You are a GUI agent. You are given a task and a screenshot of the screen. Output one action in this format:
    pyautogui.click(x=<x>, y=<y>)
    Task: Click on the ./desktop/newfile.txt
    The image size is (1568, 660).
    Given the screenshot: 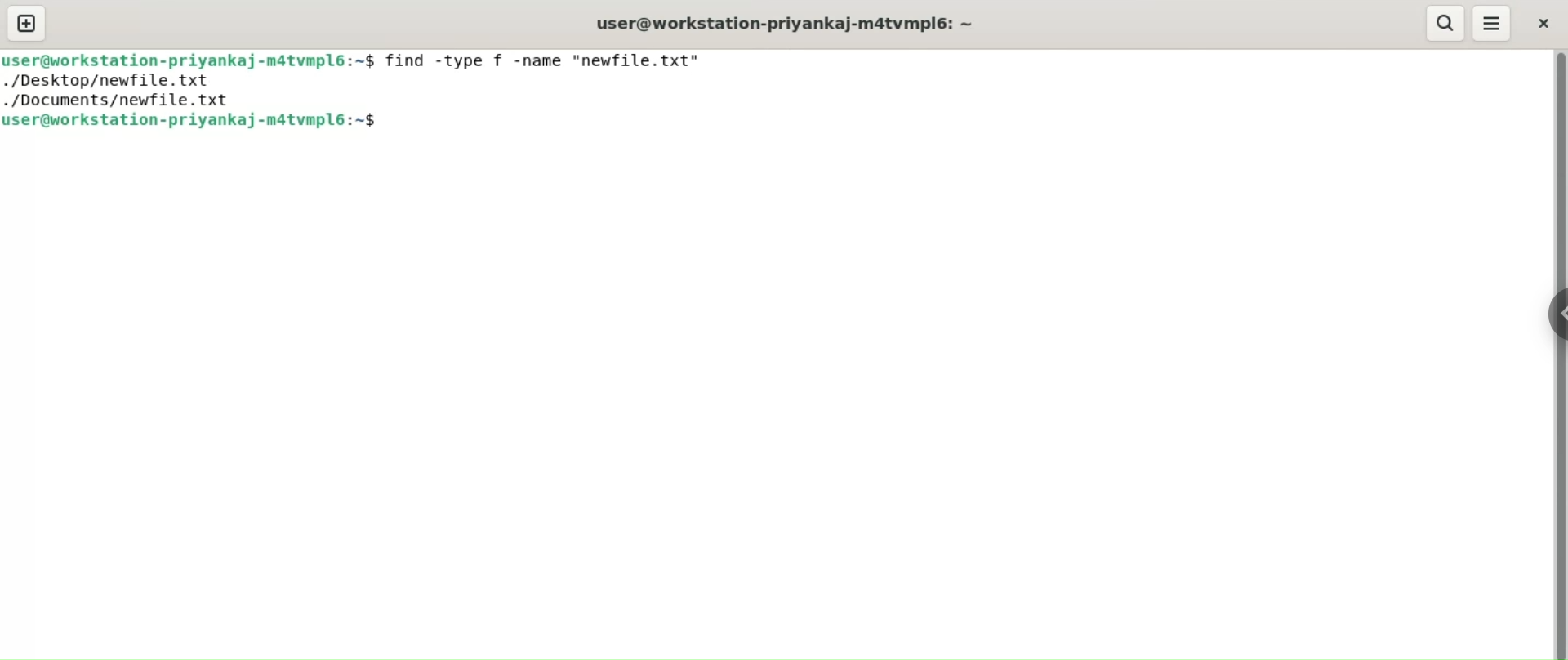 What is the action you would take?
    pyautogui.click(x=118, y=82)
    